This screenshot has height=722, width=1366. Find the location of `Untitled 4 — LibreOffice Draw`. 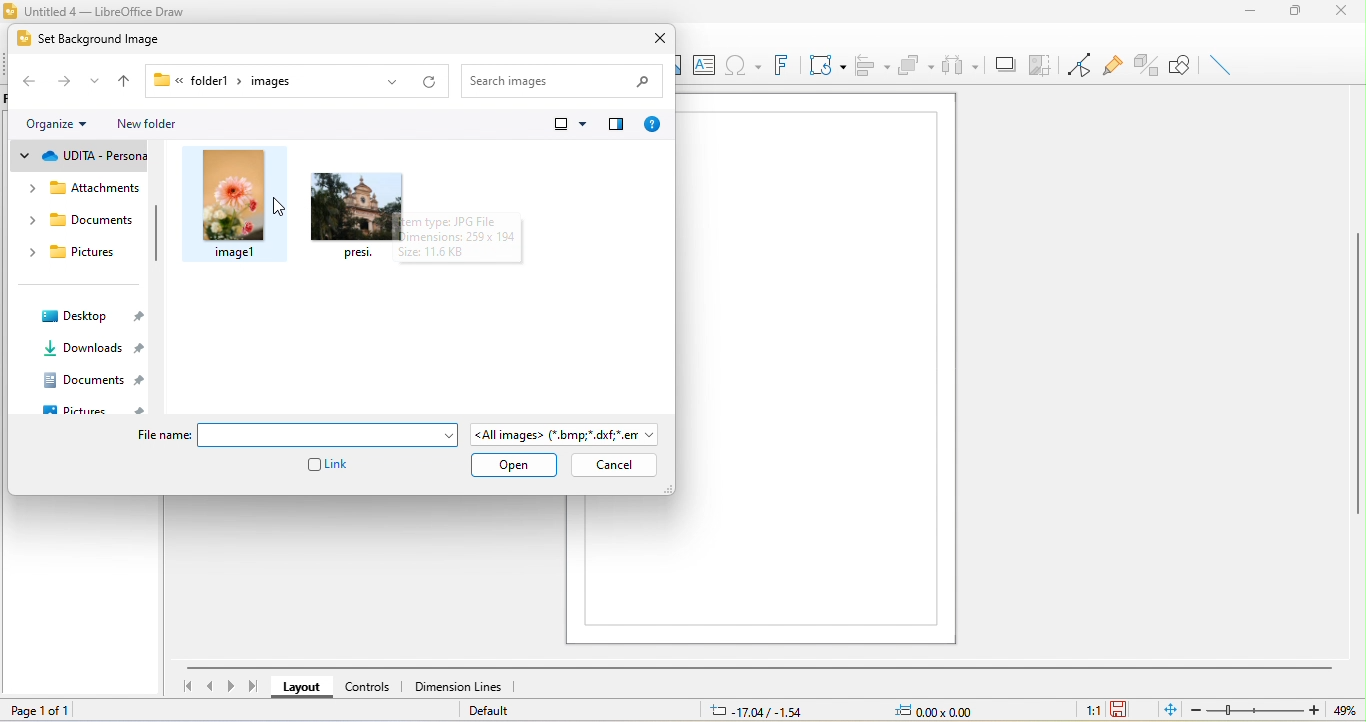

Untitled 4 — LibreOffice Draw is located at coordinates (97, 9).